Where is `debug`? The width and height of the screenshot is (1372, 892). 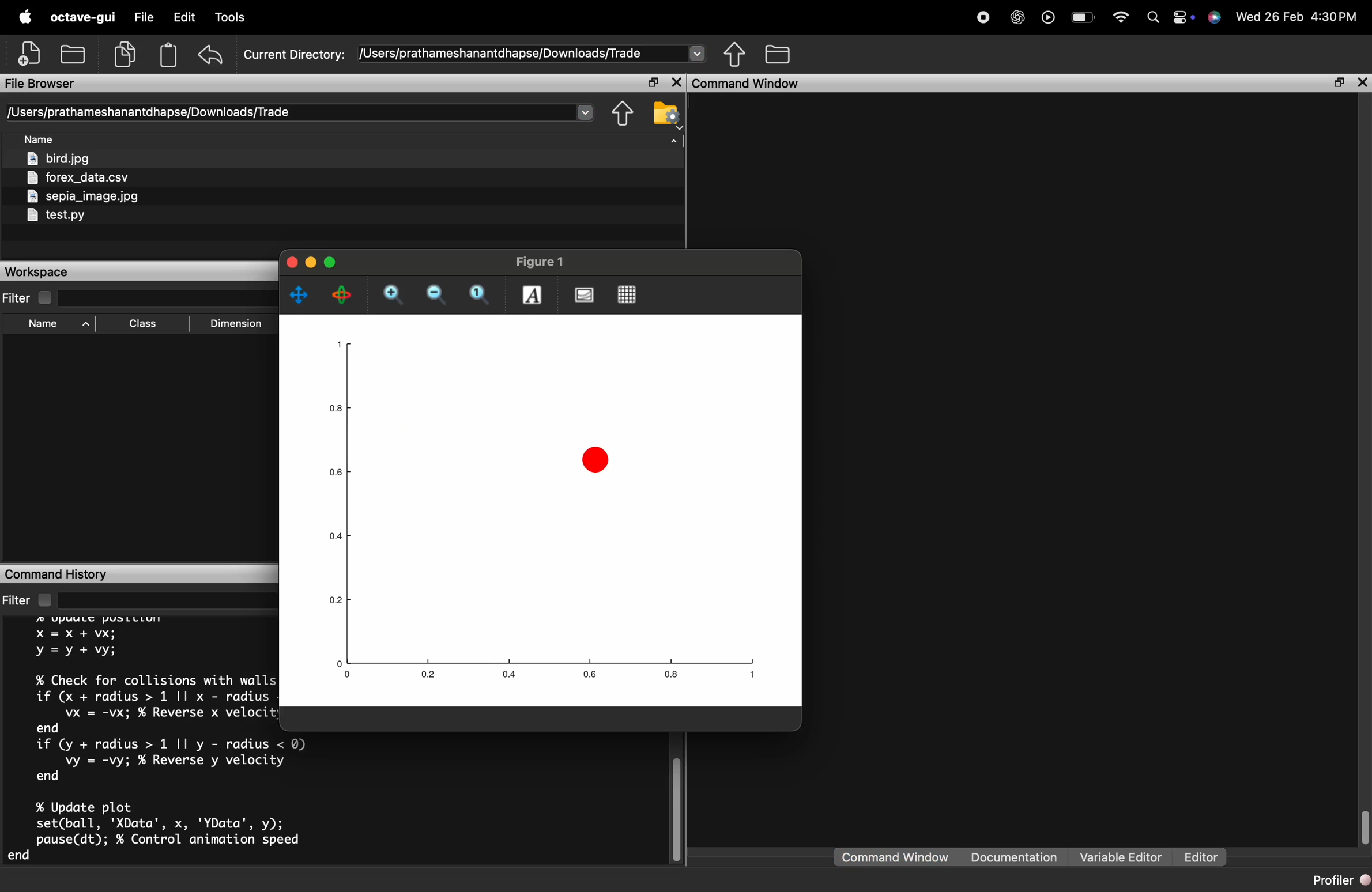
debug is located at coordinates (235, 18).